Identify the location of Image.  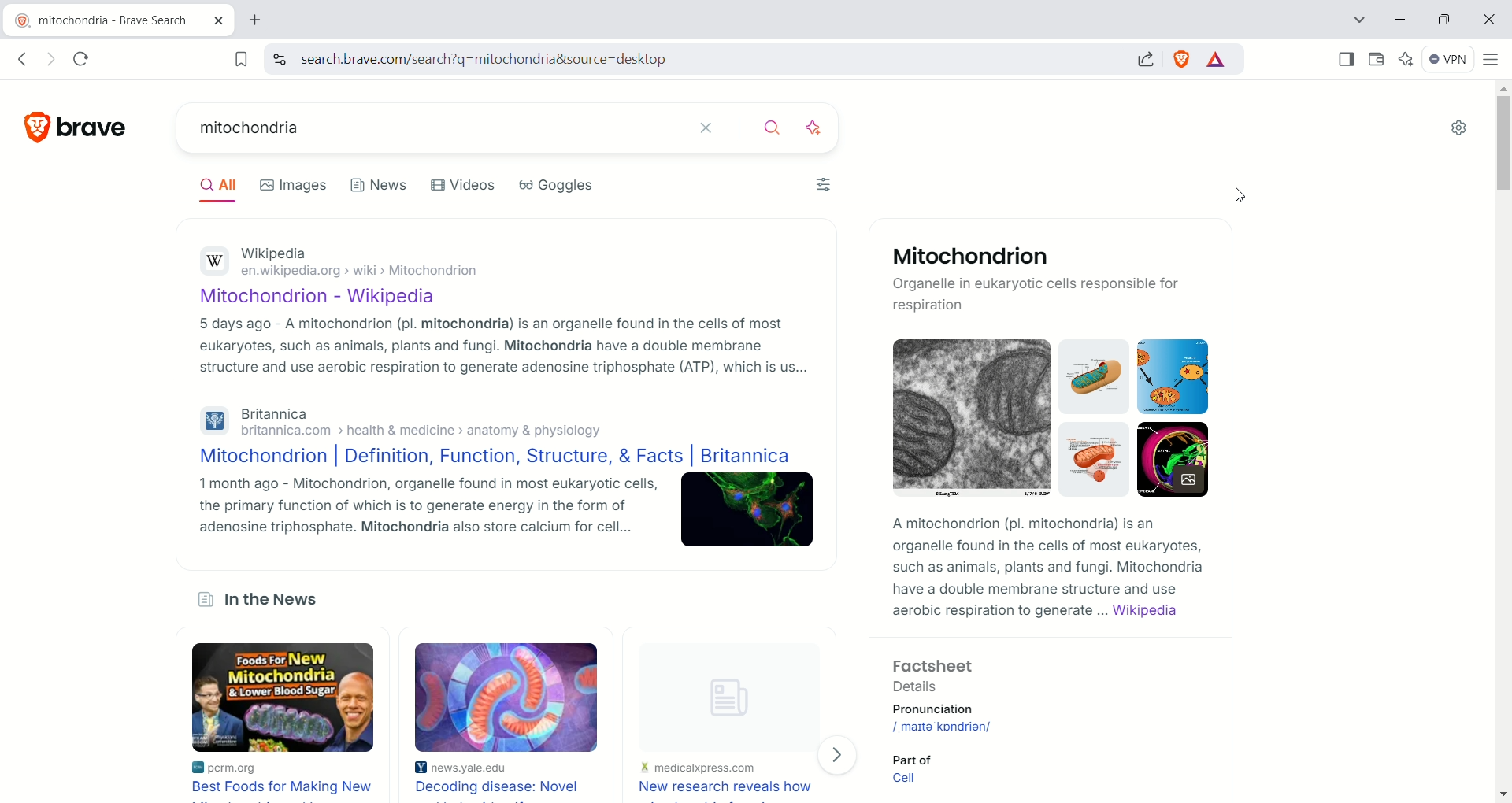
(1173, 459).